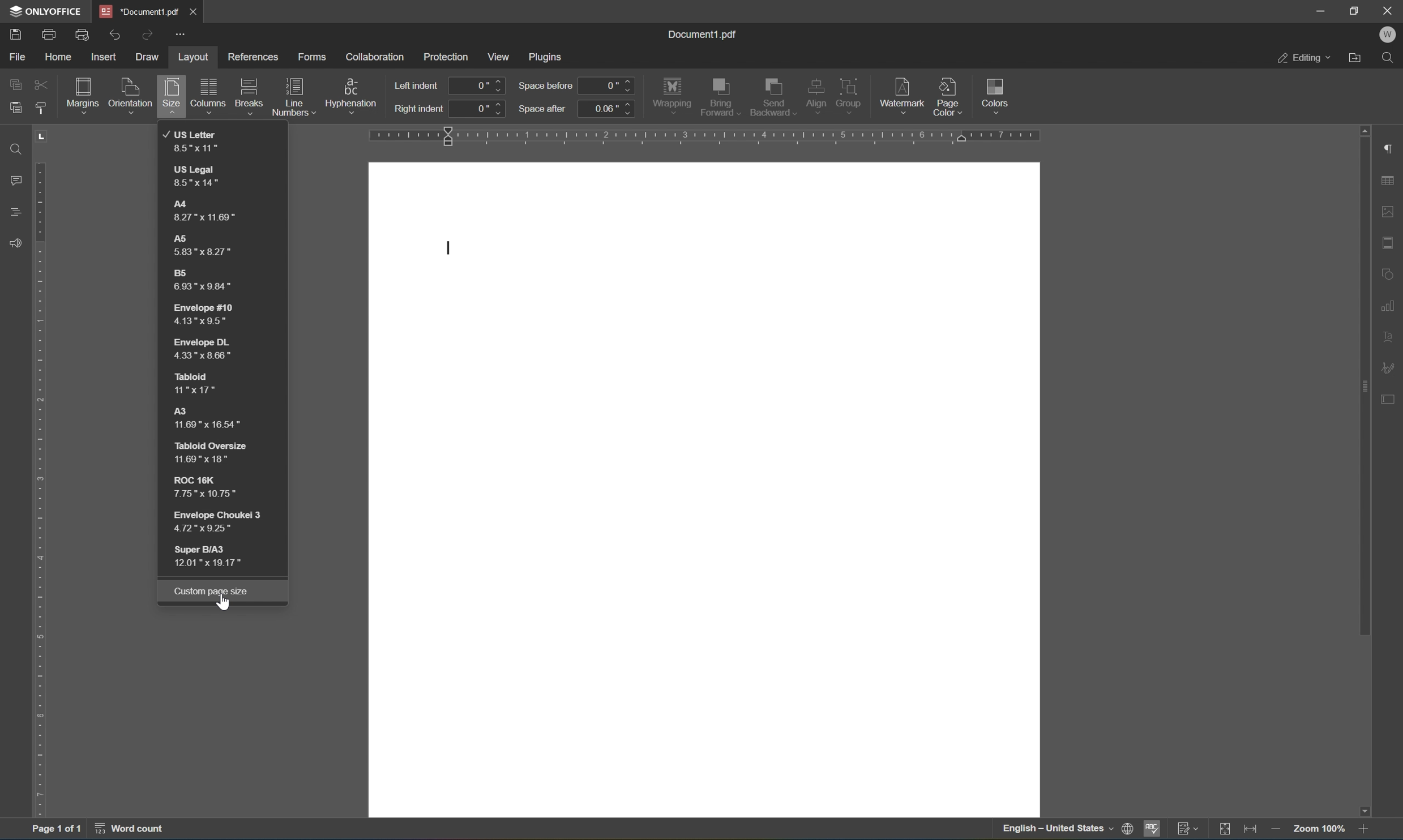 This screenshot has width=1403, height=840. What do you see at coordinates (1391, 148) in the screenshot?
I see `paragraph settings` at bounding box center [1391, 148].